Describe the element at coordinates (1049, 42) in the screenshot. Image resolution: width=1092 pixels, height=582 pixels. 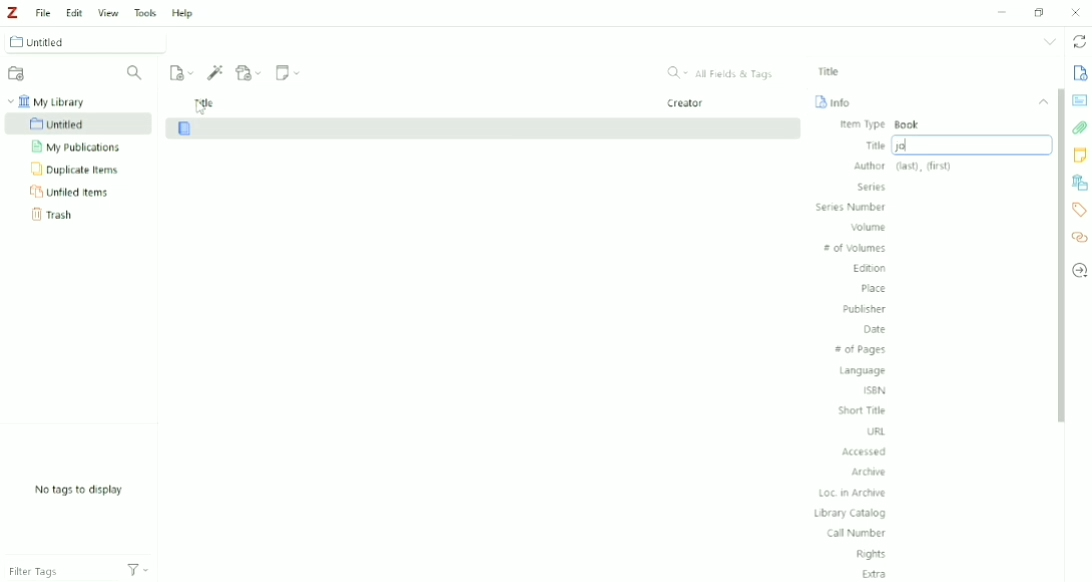
I see `List all tabs` at that location.